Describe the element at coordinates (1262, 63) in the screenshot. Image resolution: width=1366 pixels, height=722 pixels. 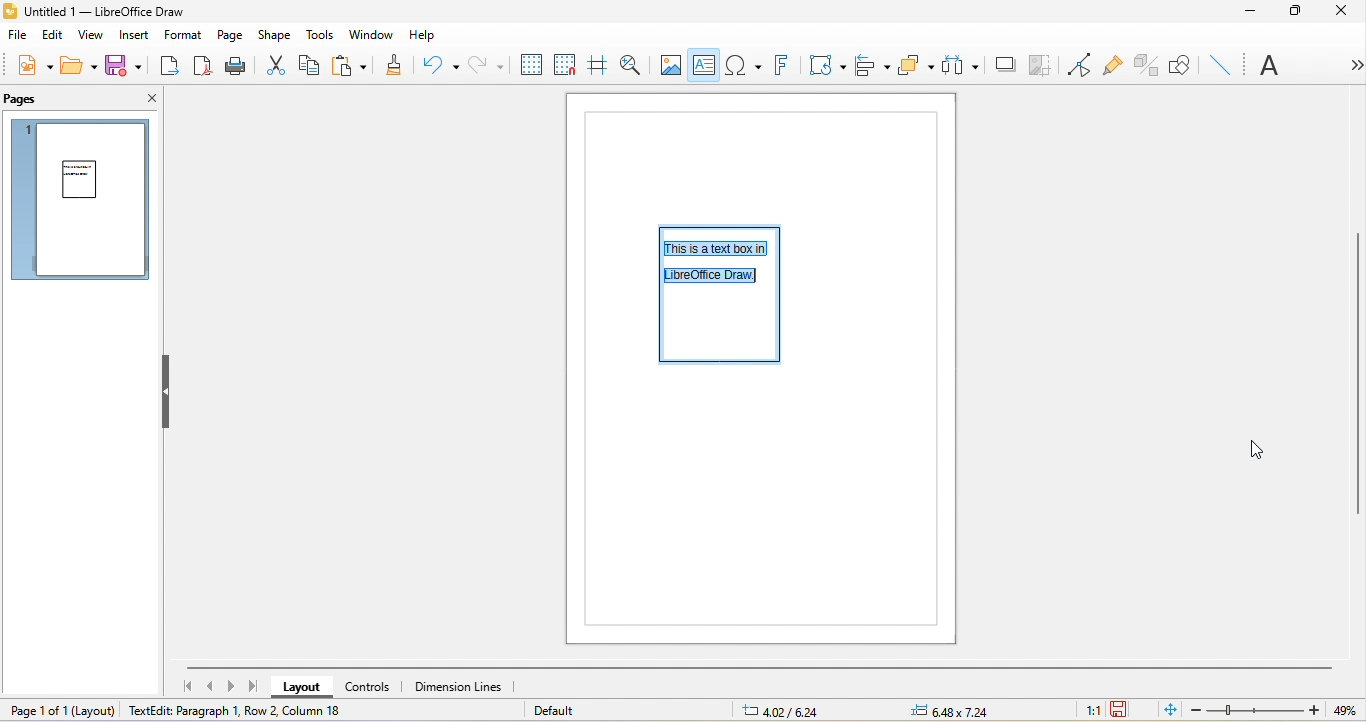
I see `font name` at that location.